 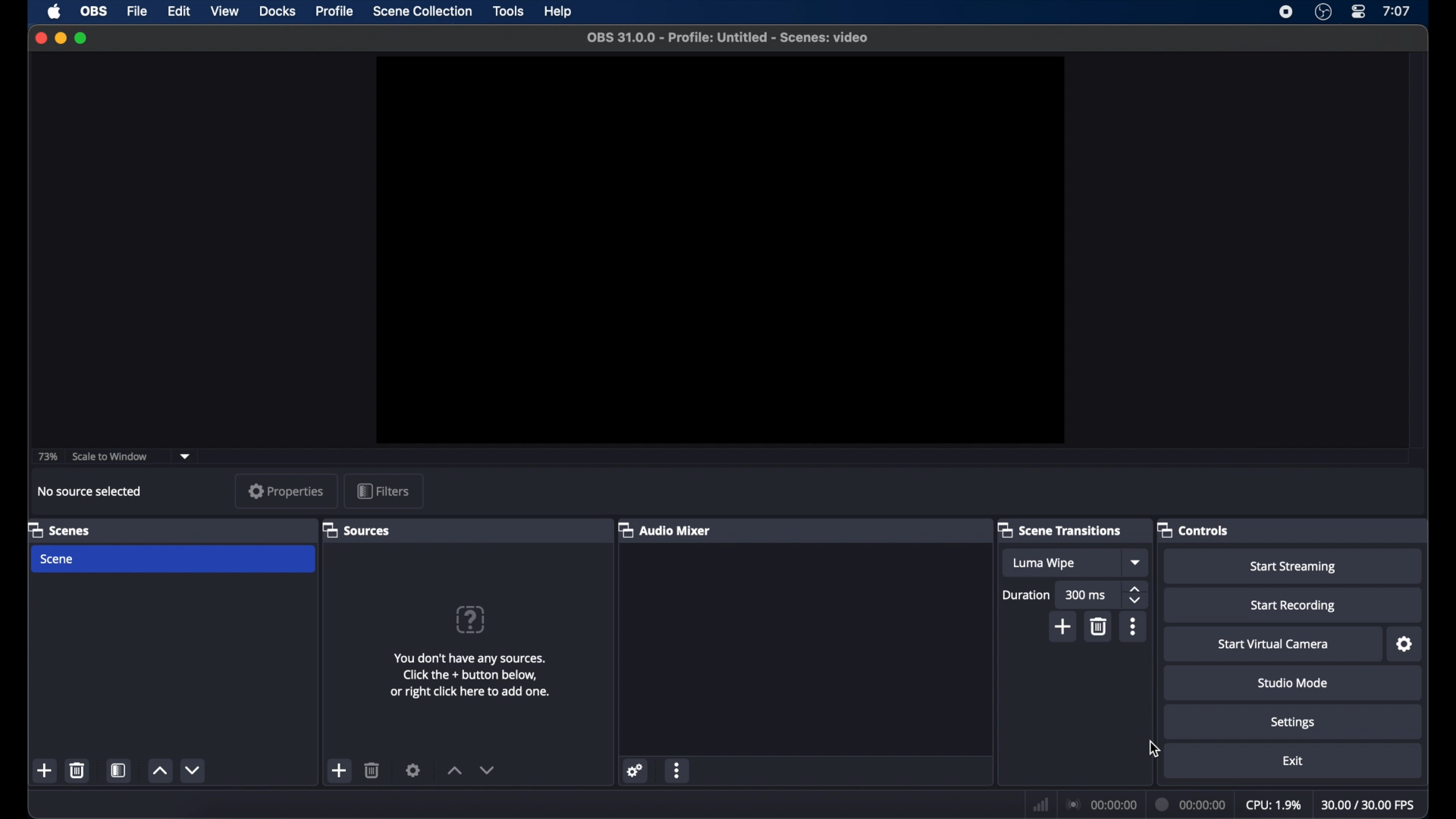 I want to click on properties, so click(x=287, y=491).